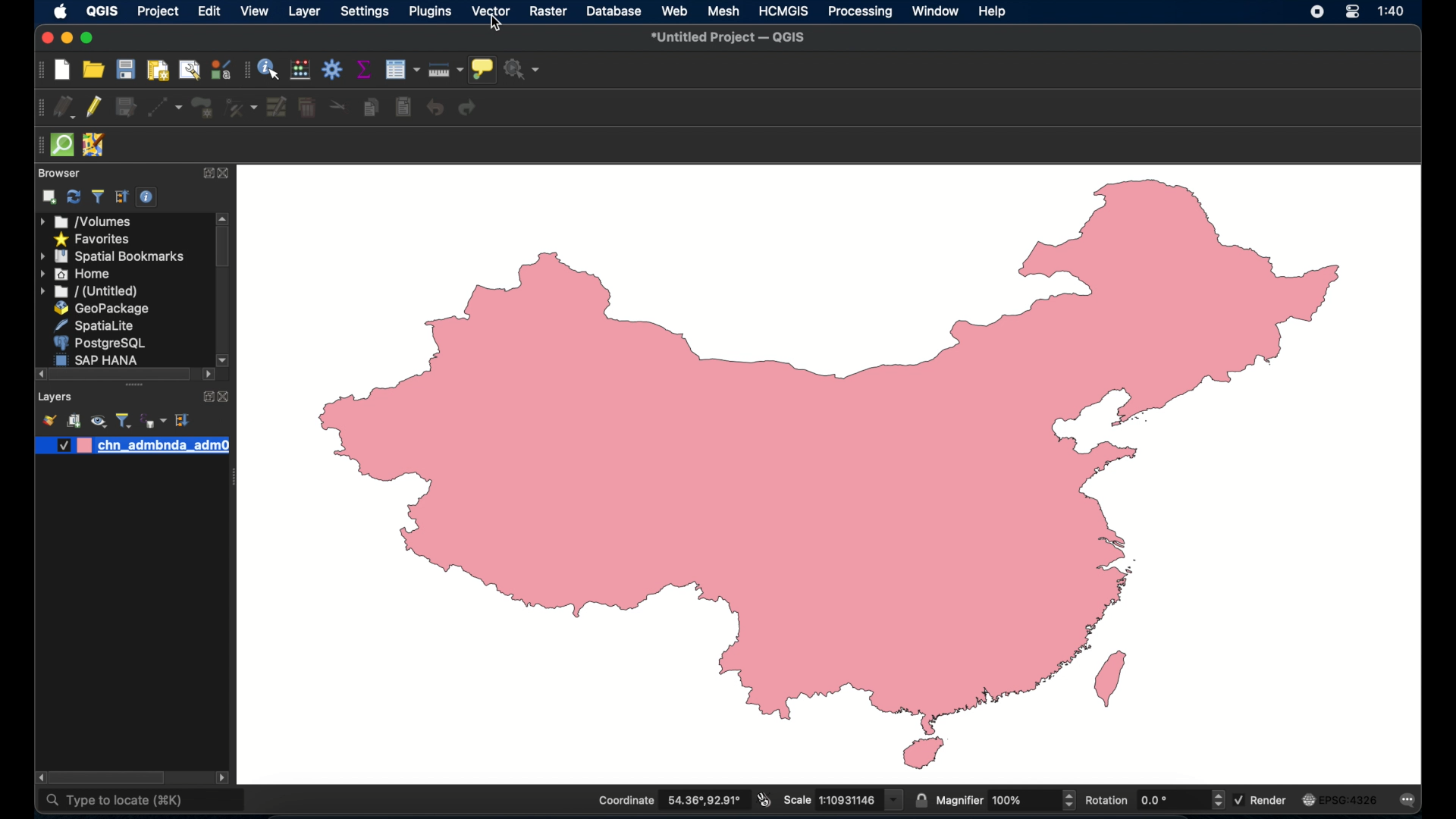 The image size is (1456, 819). What do you see at coordinates (86, 221) in the screenshot?
I see `volumes` at bounding box center [86, 221].